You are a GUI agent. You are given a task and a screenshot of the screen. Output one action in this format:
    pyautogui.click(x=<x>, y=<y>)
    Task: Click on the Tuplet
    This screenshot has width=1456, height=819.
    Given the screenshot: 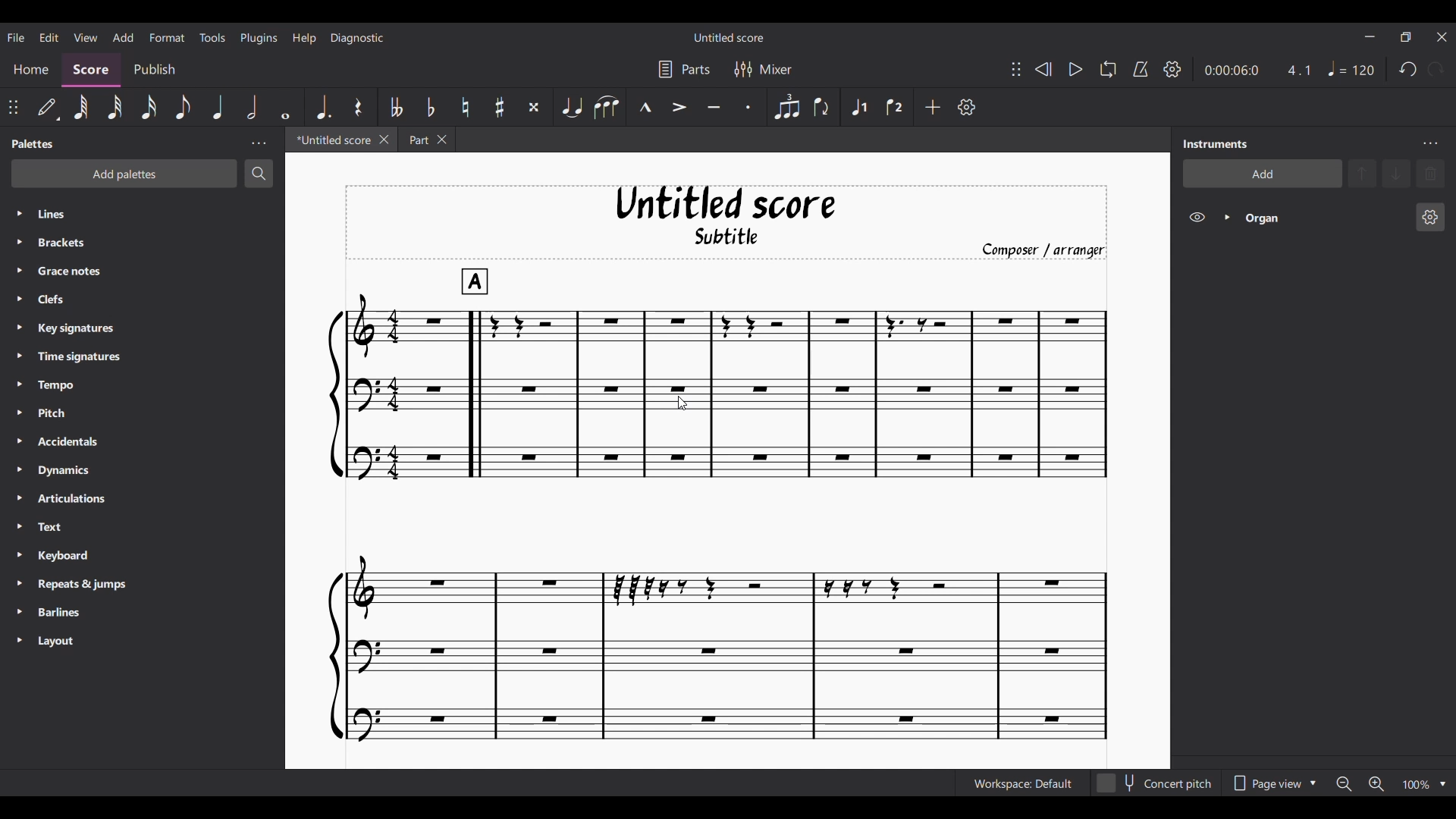 What is the action you would take?
    pyautogui.click(x=787, y=108)
    